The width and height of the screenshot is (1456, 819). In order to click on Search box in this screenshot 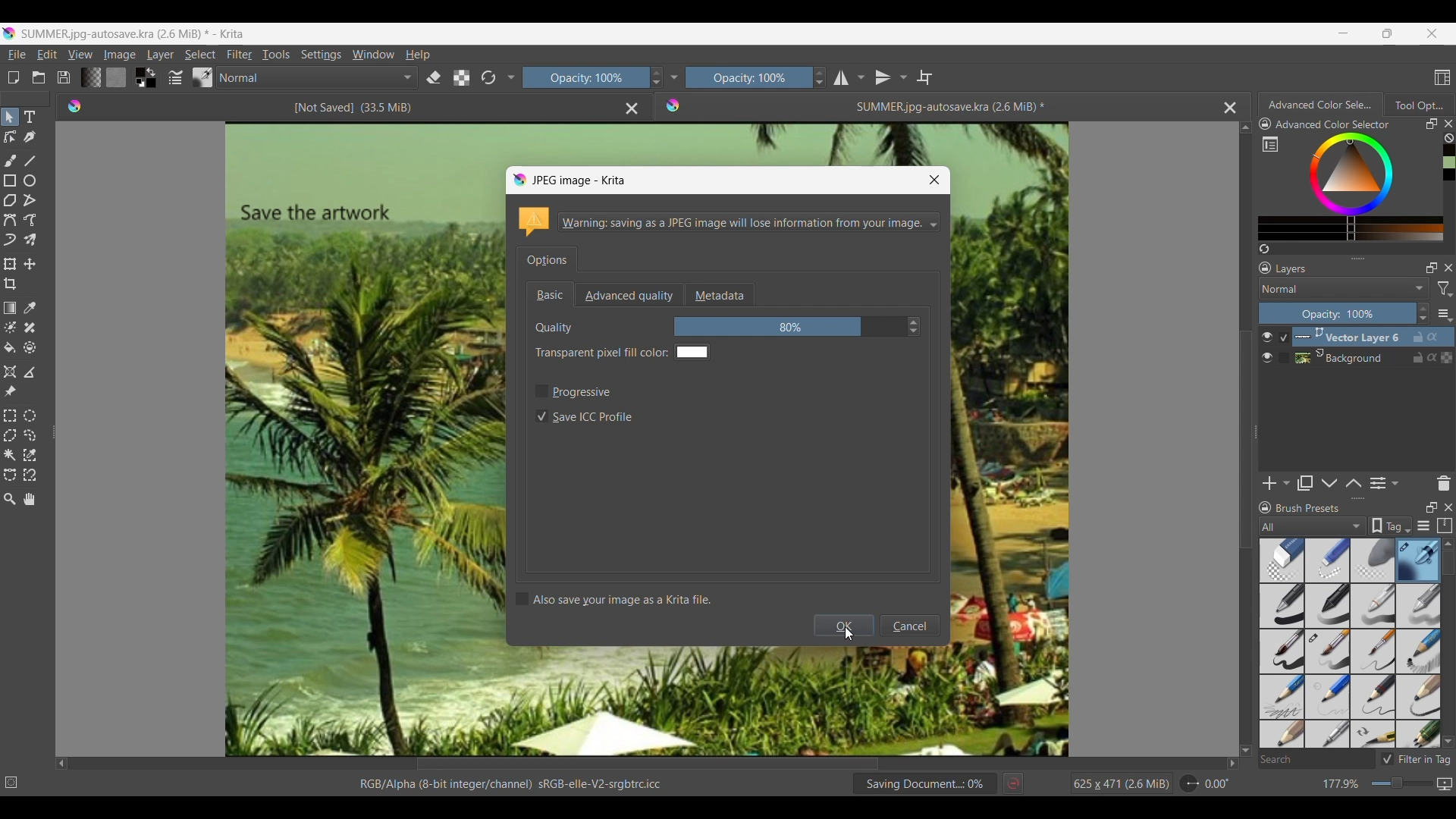, I will do `click(1316, 759)`.